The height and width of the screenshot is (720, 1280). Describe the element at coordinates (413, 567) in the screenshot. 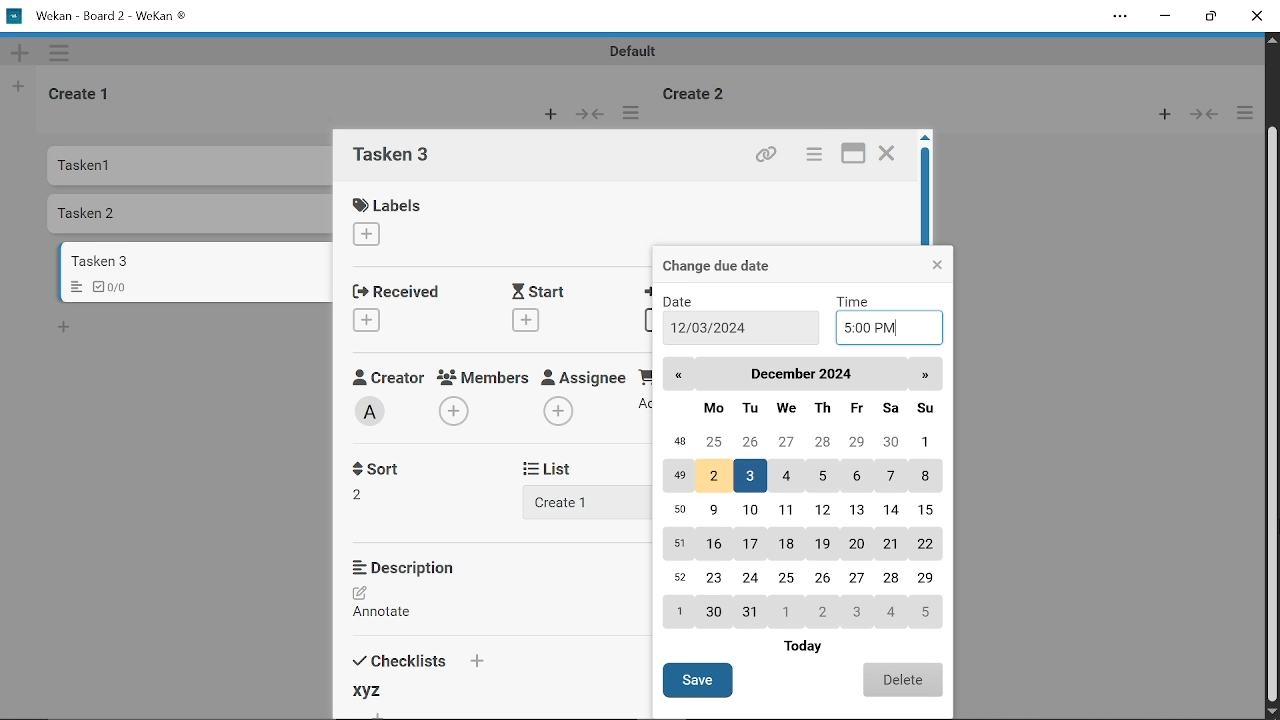

I see `Description` at that location.